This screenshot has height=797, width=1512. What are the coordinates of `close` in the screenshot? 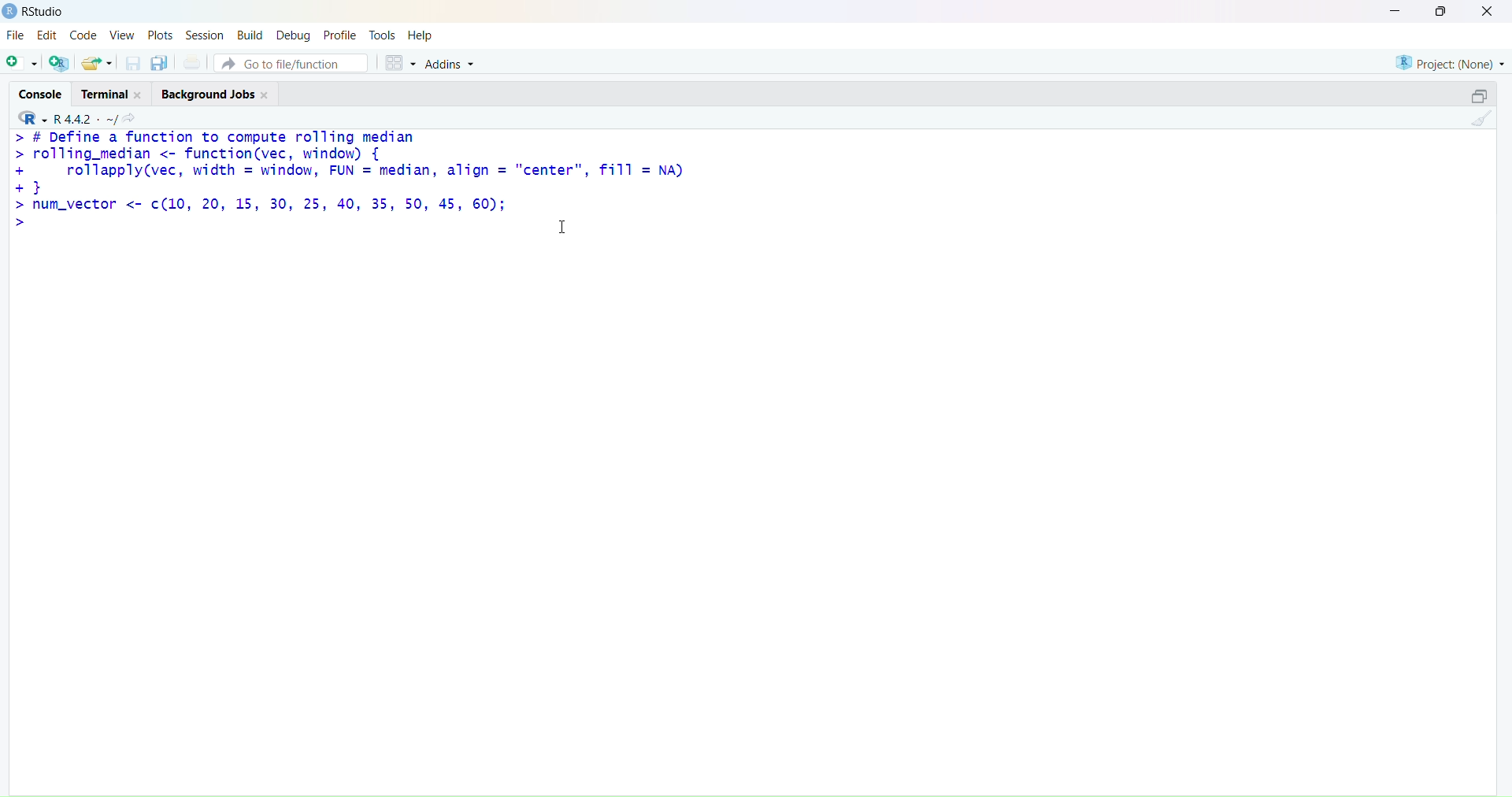 It's located at (137, 95).